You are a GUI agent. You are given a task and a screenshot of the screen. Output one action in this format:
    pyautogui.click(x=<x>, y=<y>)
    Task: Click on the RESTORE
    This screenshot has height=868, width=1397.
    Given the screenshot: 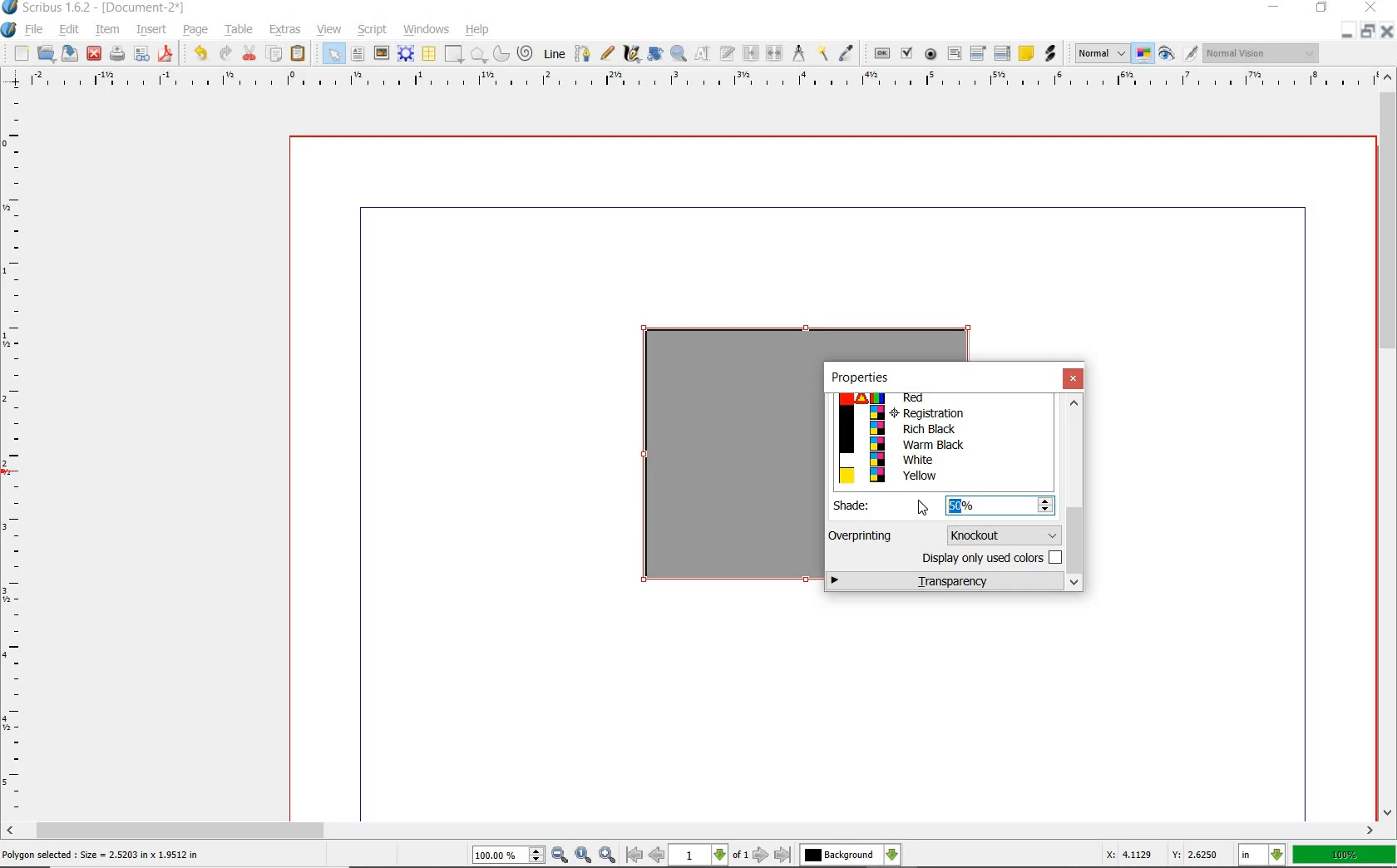 What is the action you would take?
    pyautogui.click(x=1364, y=34)
    